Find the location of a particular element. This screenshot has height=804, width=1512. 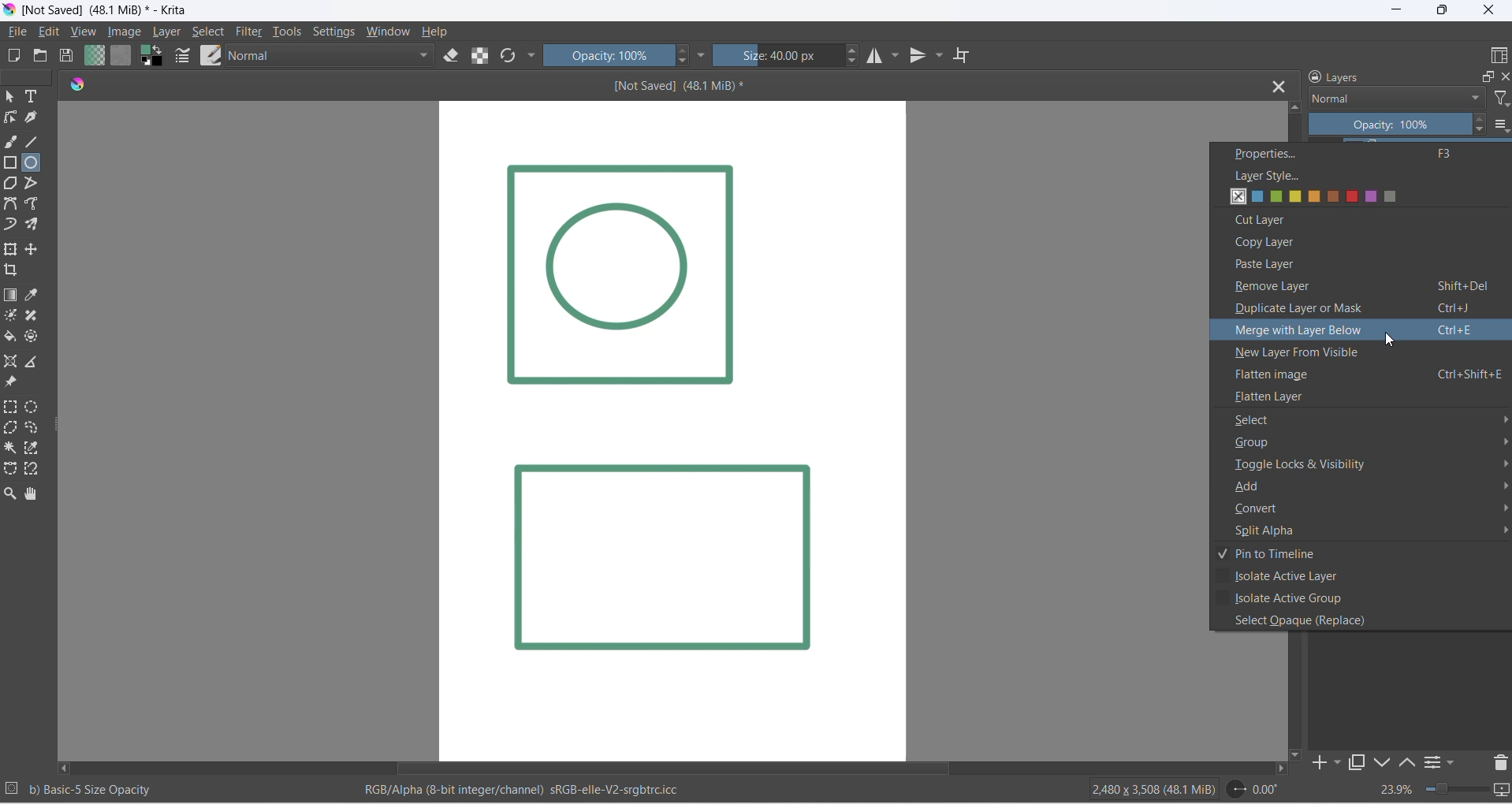

new file is located at coordinates (18, 55).